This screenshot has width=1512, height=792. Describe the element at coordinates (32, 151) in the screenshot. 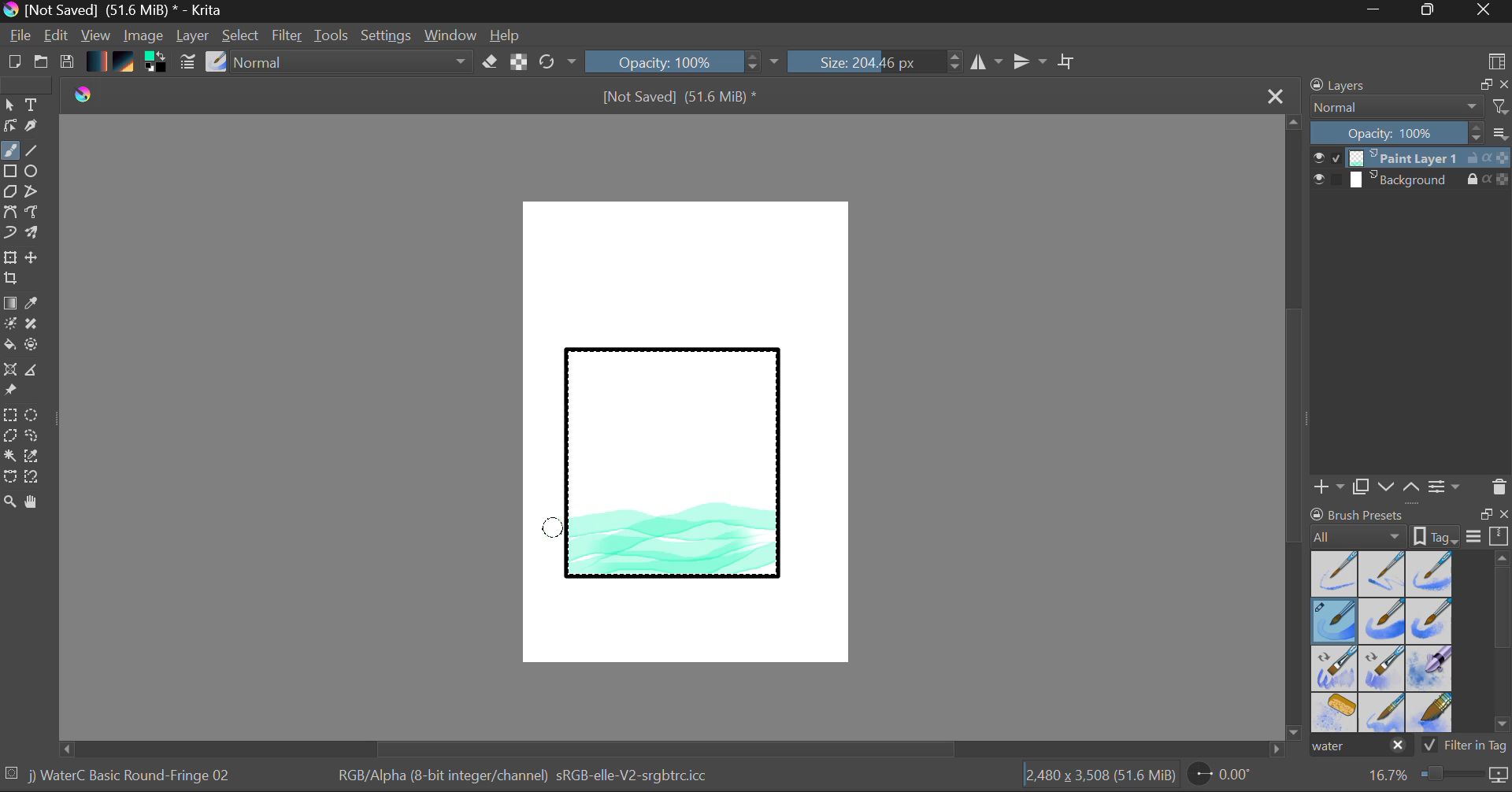

I see `Line` at that location.